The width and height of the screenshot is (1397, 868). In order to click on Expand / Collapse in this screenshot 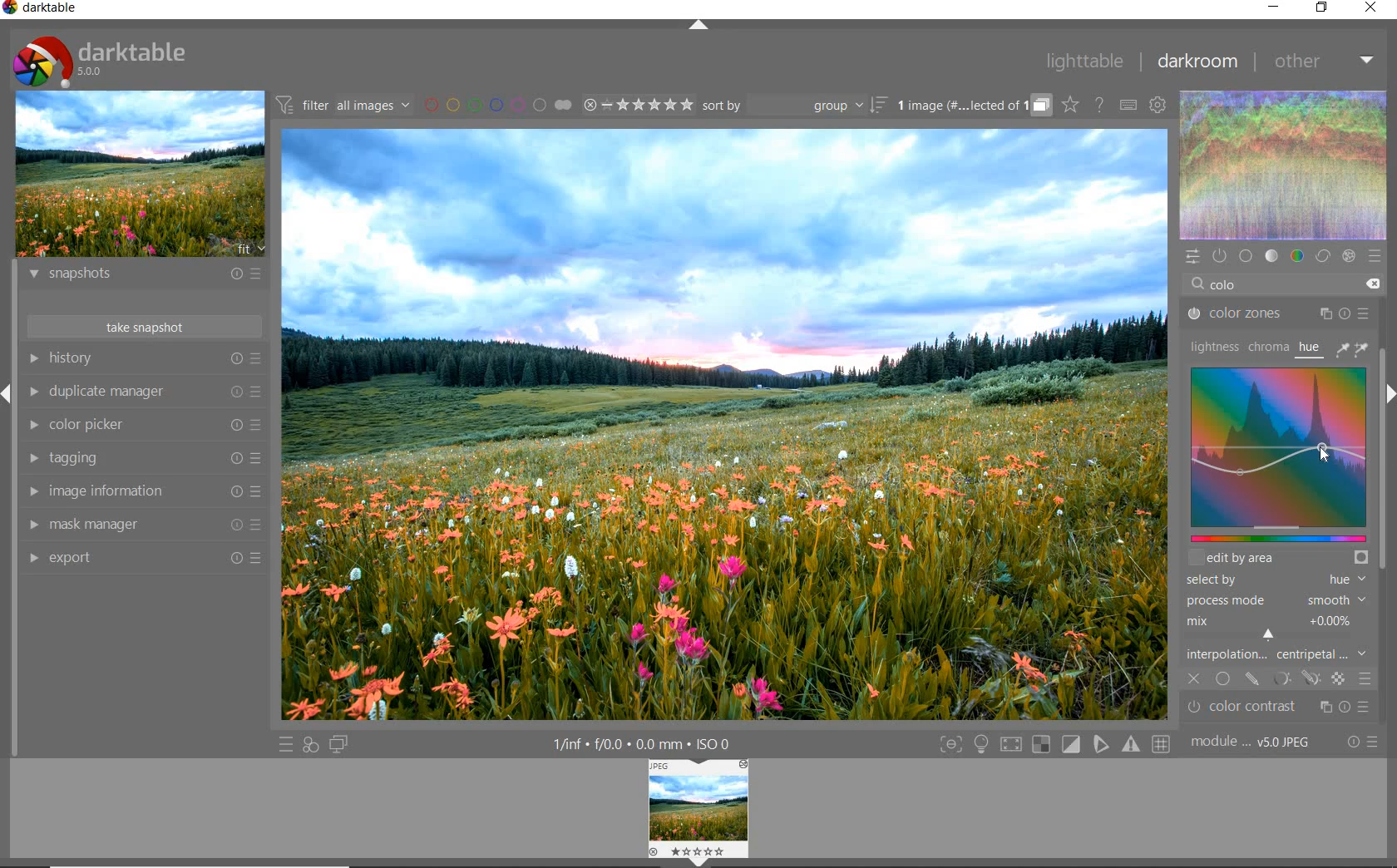, I will do `click(8, 392)`.